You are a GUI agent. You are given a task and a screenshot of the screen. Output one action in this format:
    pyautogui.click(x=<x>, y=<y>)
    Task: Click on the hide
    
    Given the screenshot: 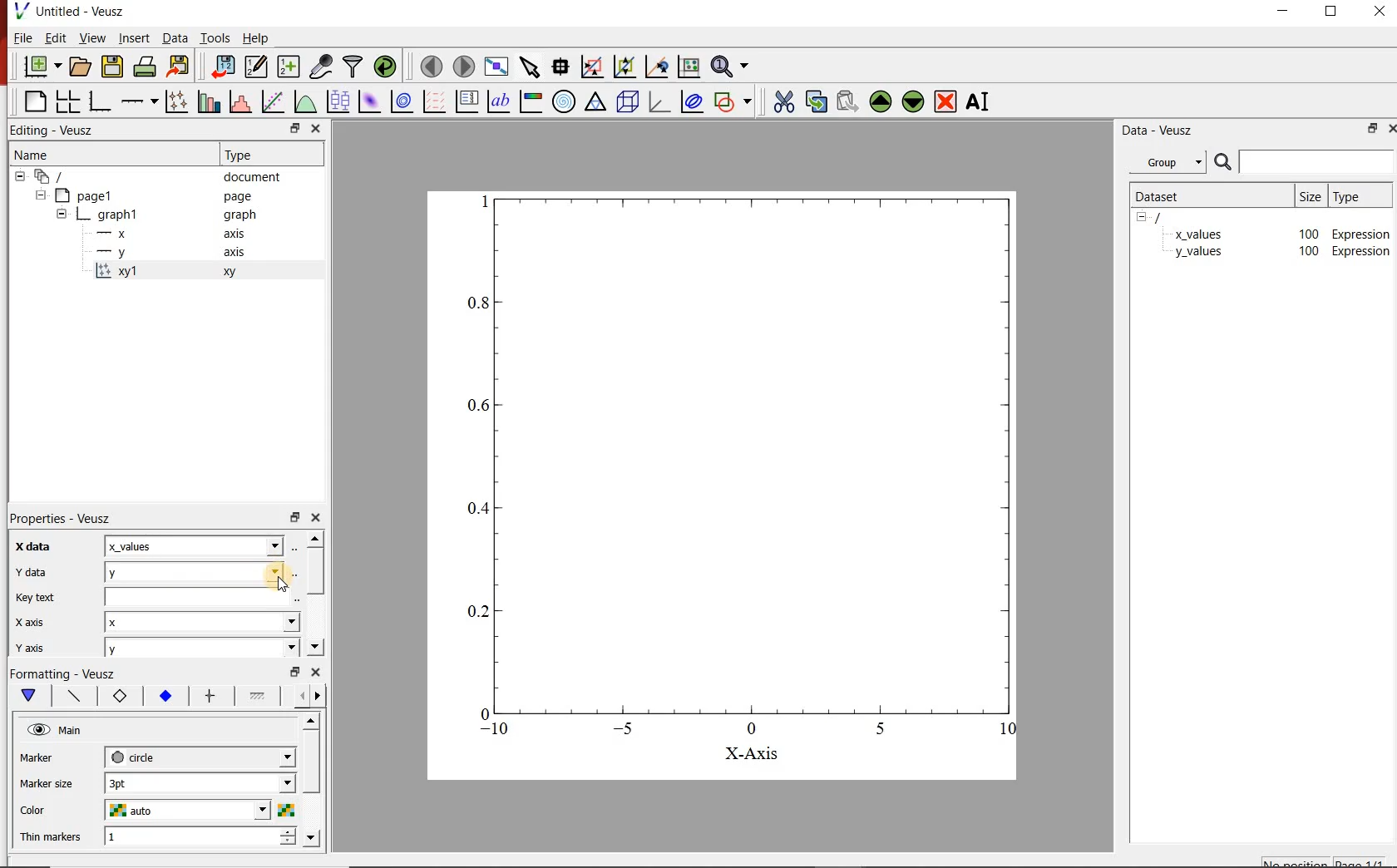 What is the action you would take?
    pyautogui.click(x=20, y=176)
    